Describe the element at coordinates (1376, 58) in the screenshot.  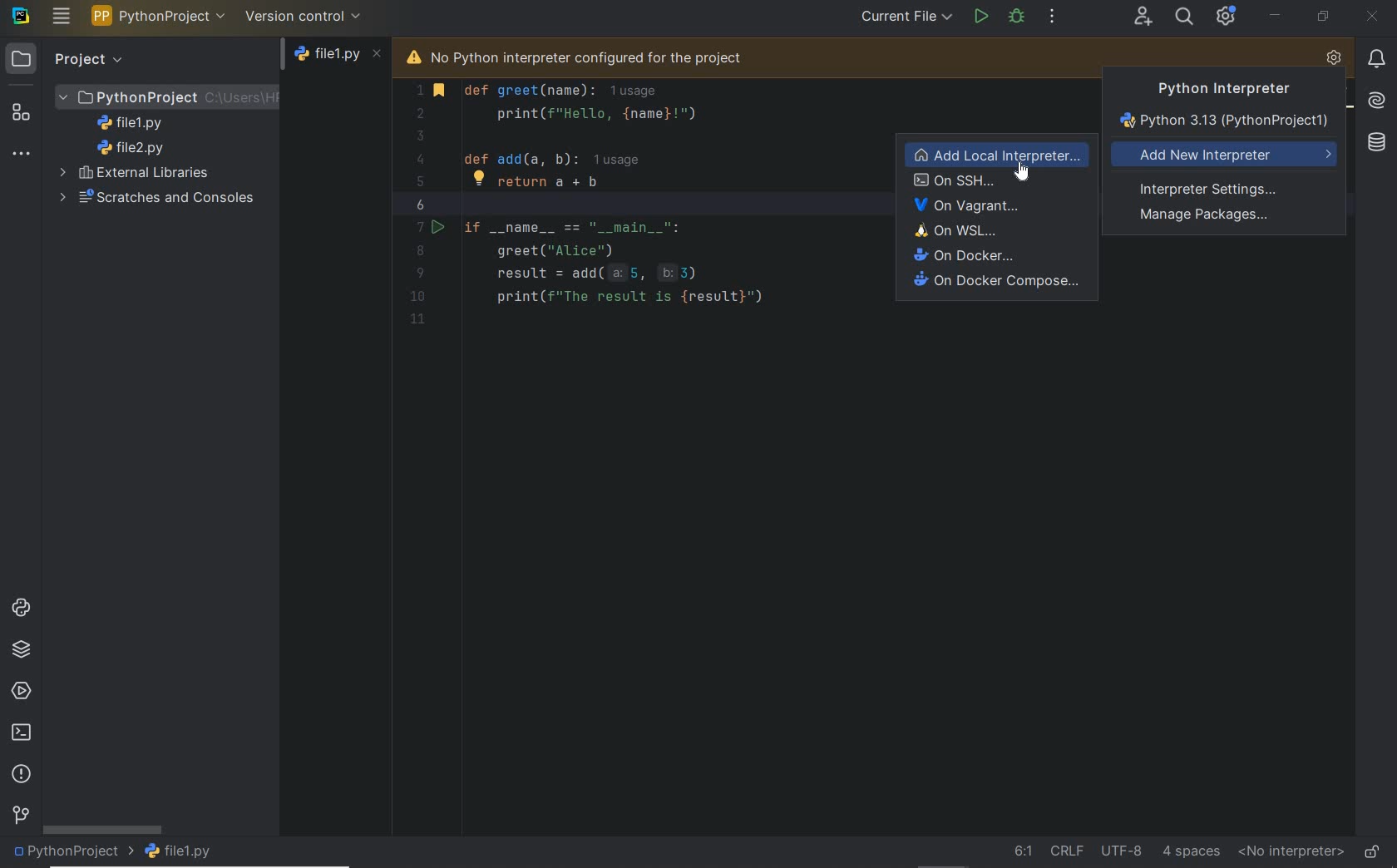
I see `notifications` at that location.